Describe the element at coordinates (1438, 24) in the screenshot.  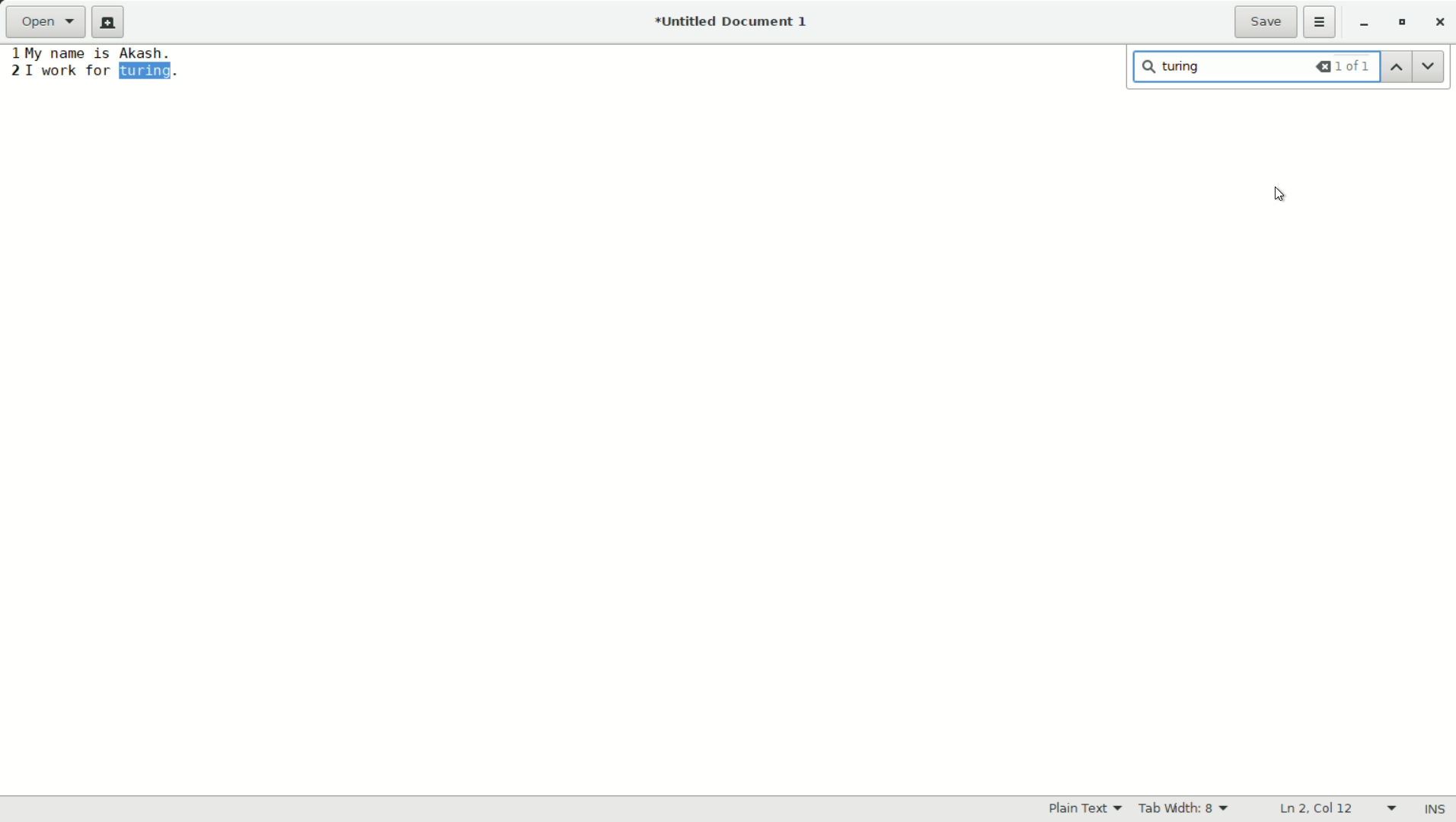
I see `close app` at that location.